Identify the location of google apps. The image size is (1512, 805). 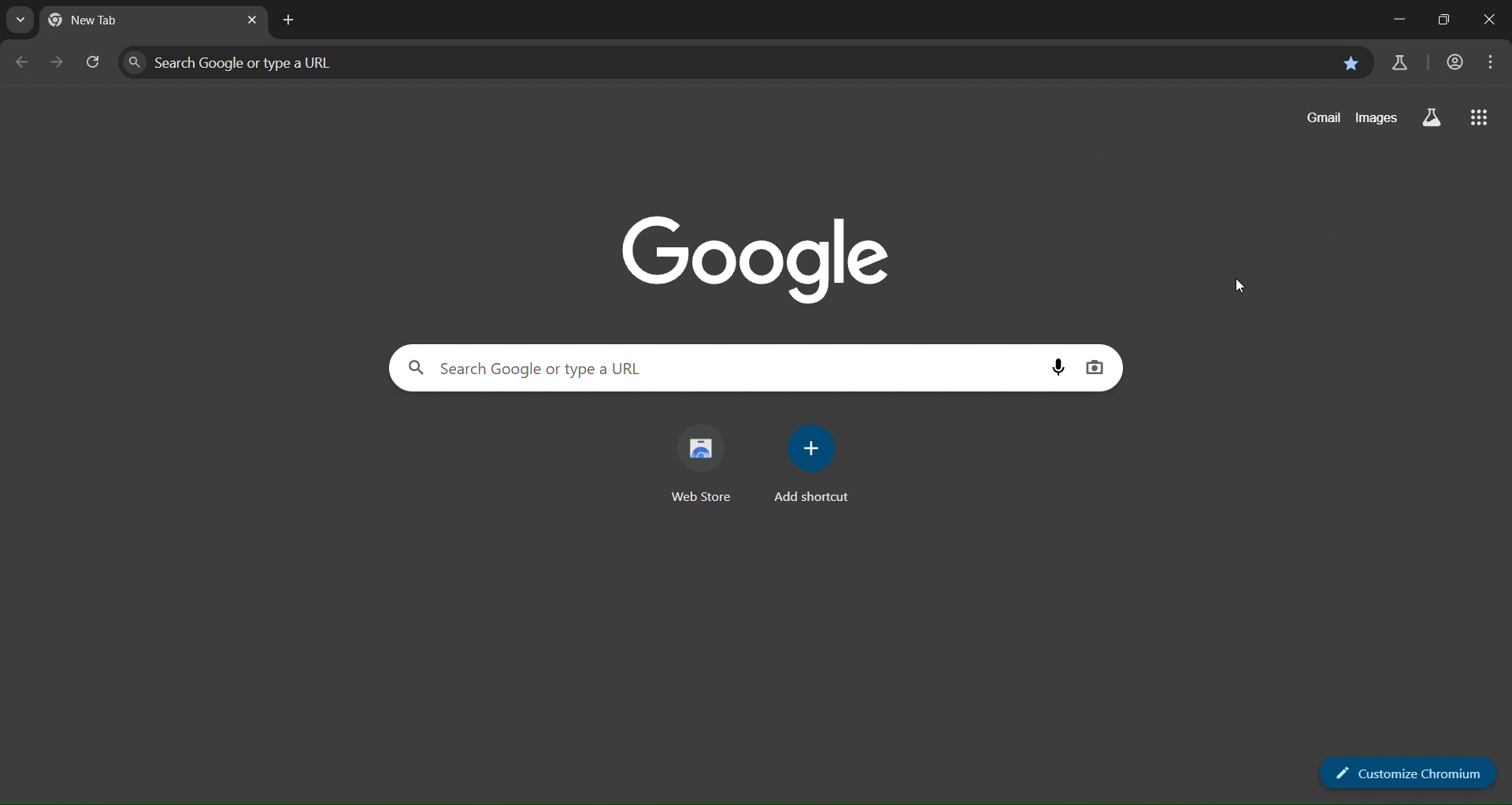
(1477, 121).